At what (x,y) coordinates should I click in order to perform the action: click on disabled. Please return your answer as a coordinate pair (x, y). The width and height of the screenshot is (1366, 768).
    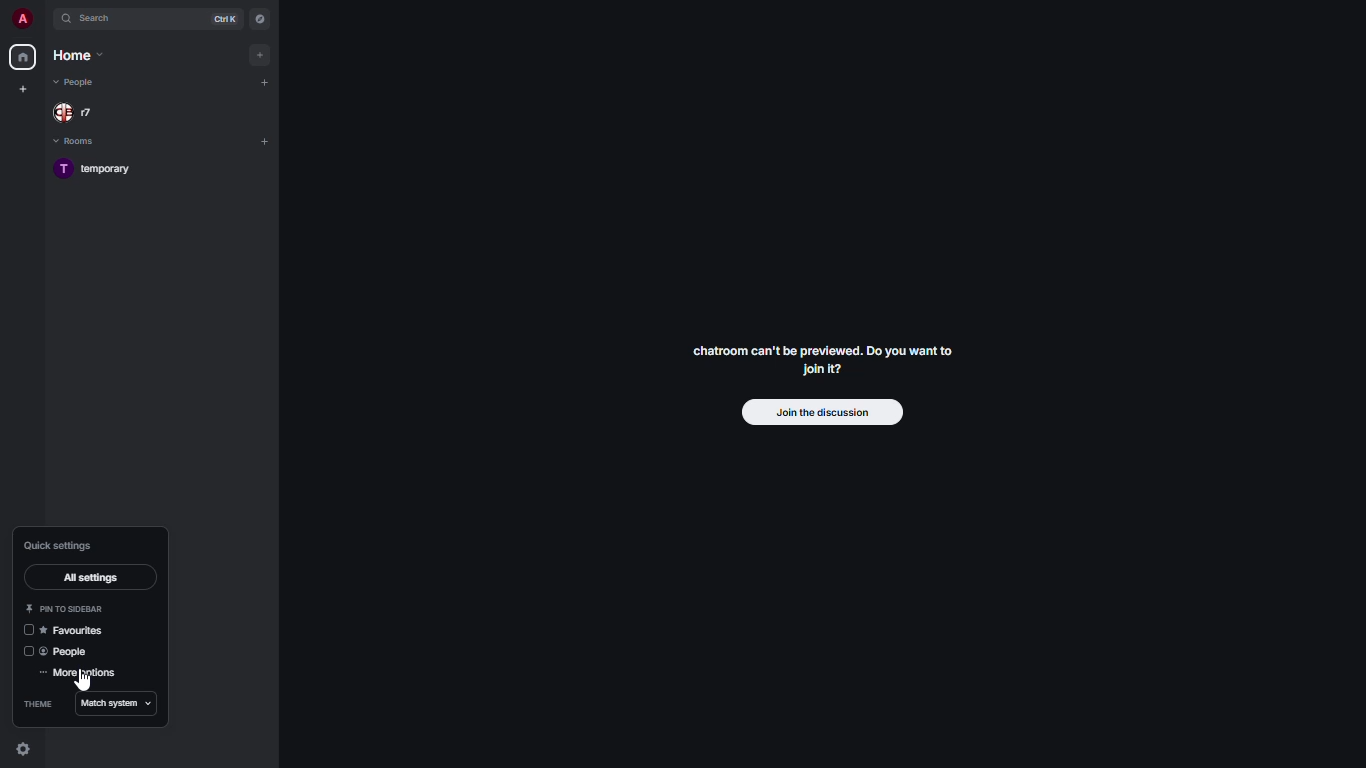
    Looking at the image, I should click on (26, 631).